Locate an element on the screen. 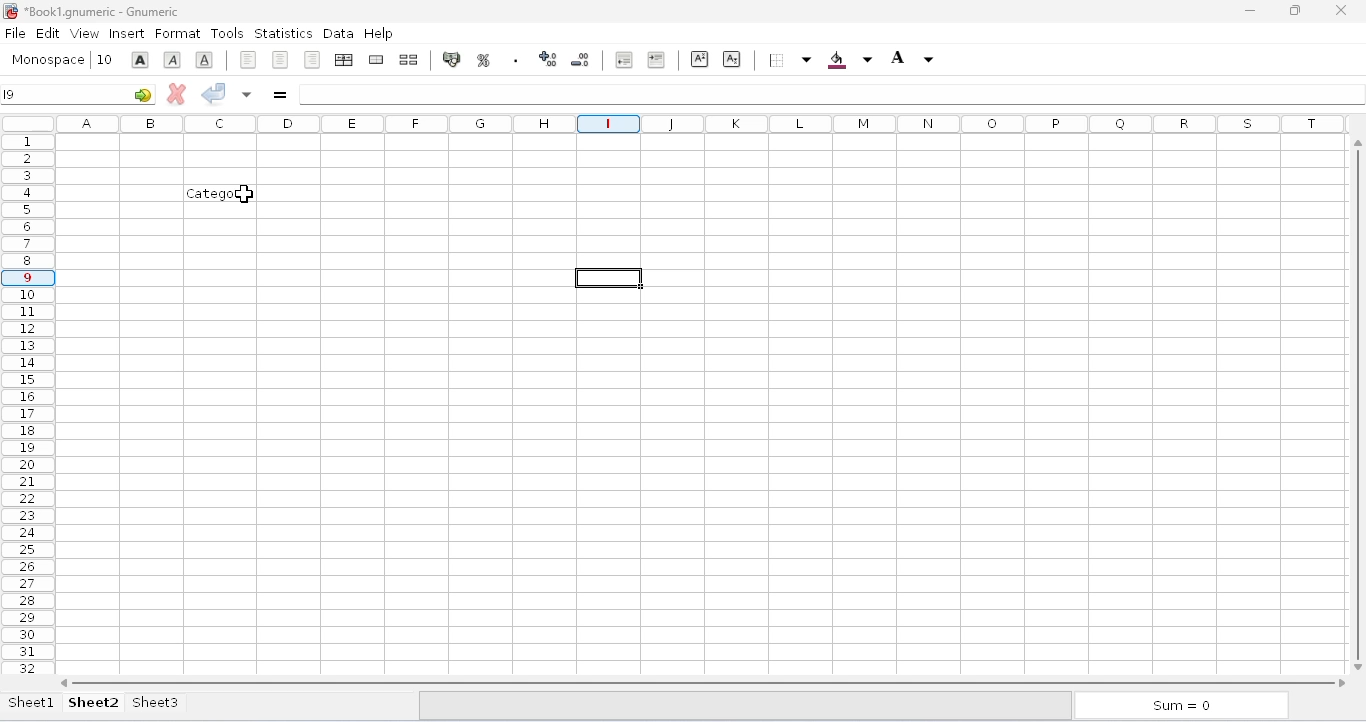 The image size is (1366, 722). center horizontally across the selection is located at coordinates (343, 60).